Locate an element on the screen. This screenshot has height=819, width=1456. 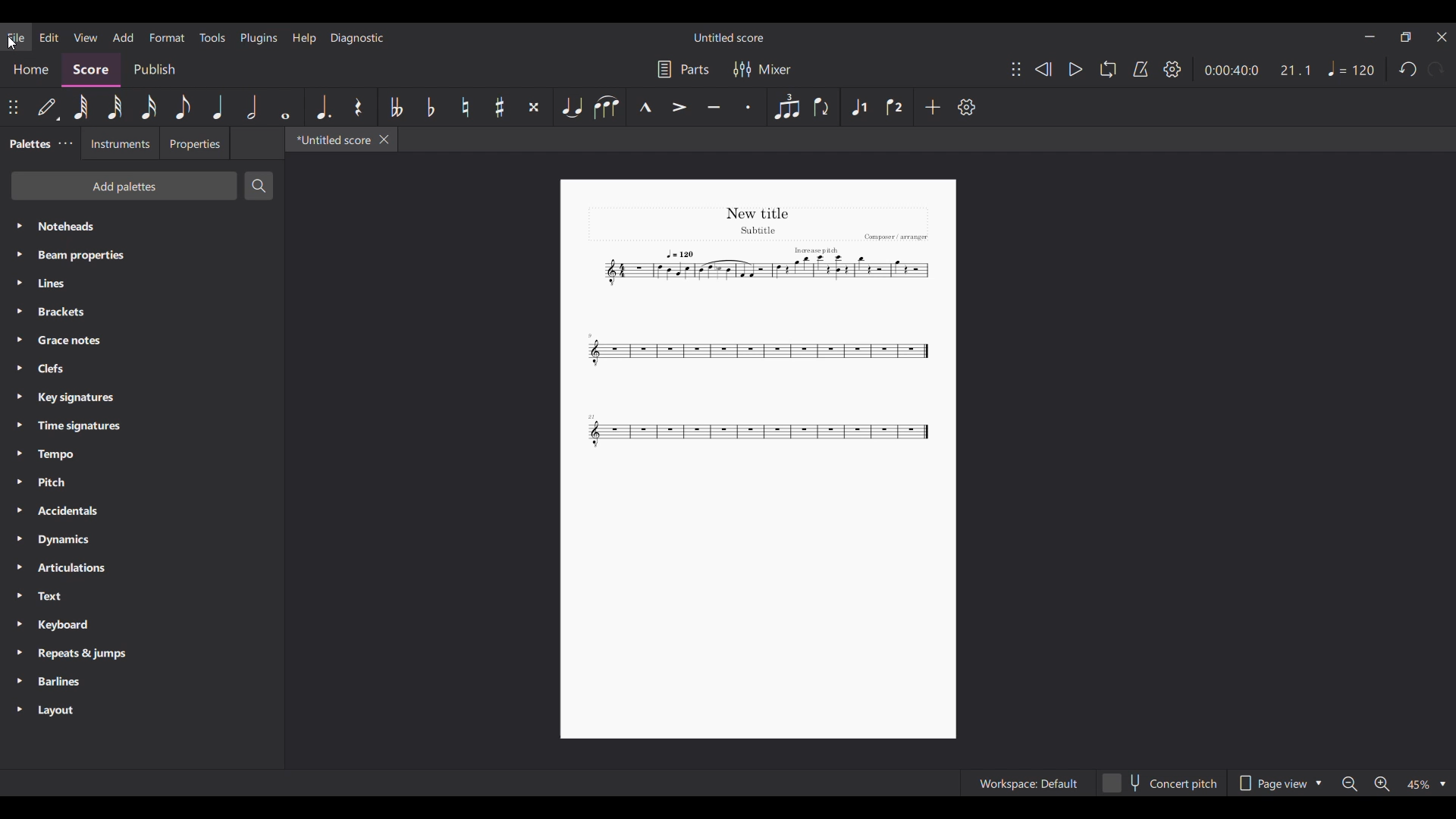
Slur is located at coordinates (607, 107).